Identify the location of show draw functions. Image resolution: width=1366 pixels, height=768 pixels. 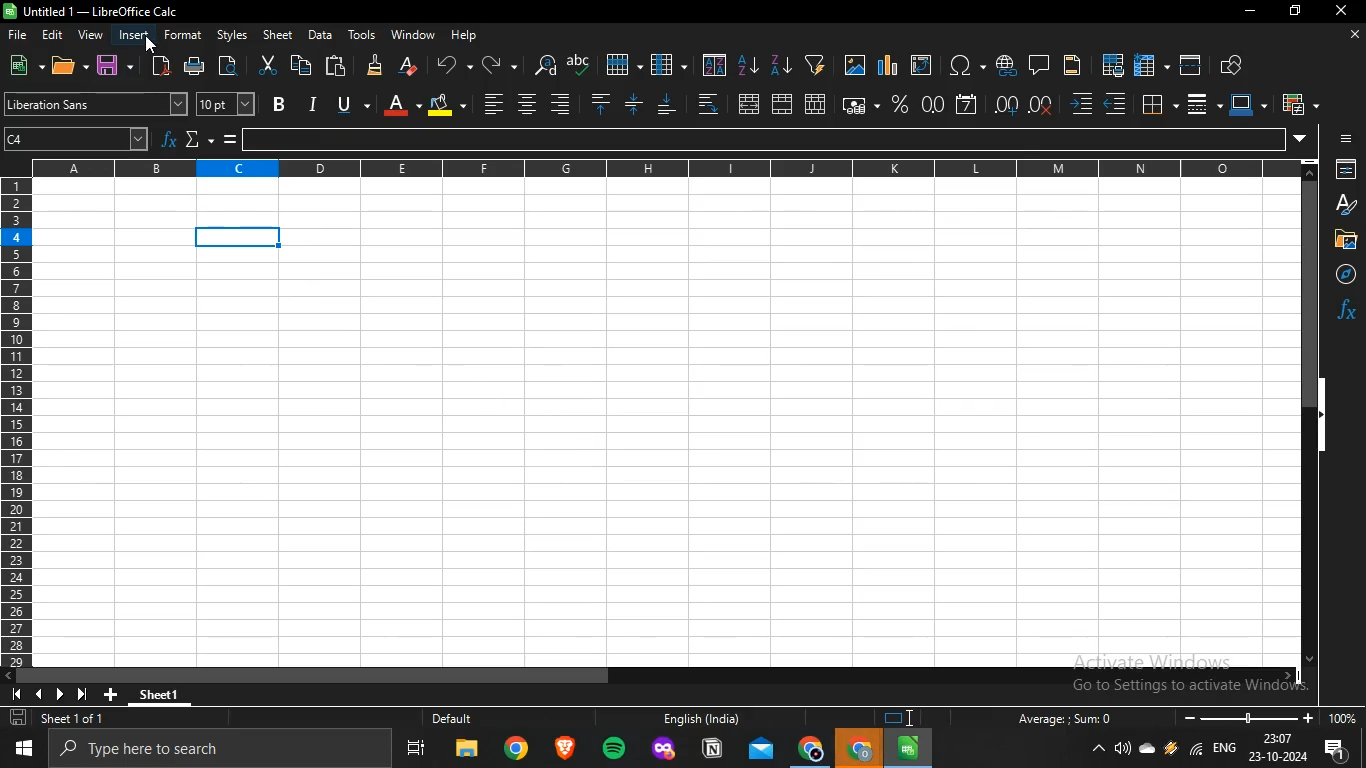
(1233, 63).